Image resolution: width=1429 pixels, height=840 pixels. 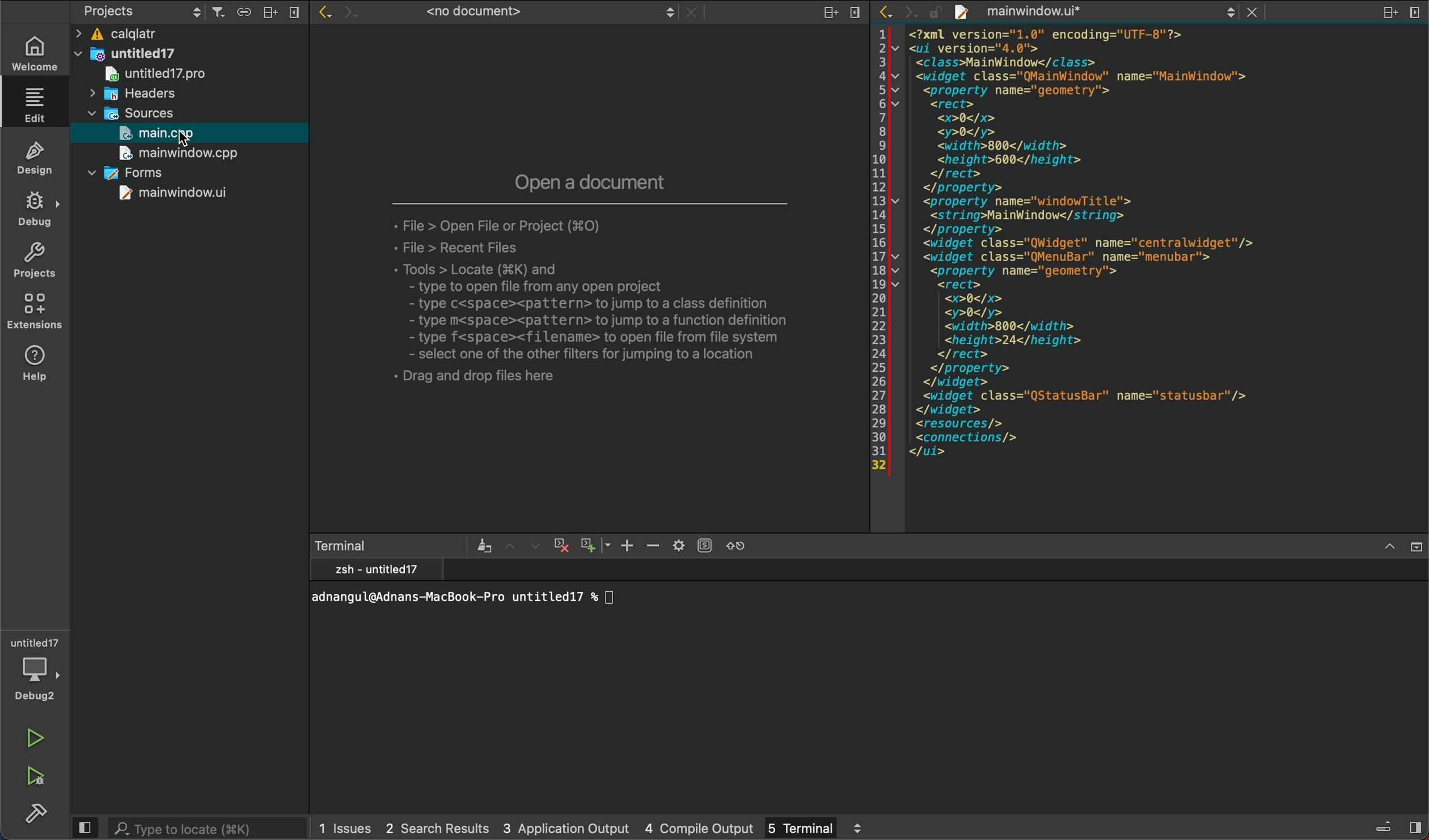 What do you see at coordinates (270, 12) in the screenshot?
I see `split` at bounding box center [270, 12].